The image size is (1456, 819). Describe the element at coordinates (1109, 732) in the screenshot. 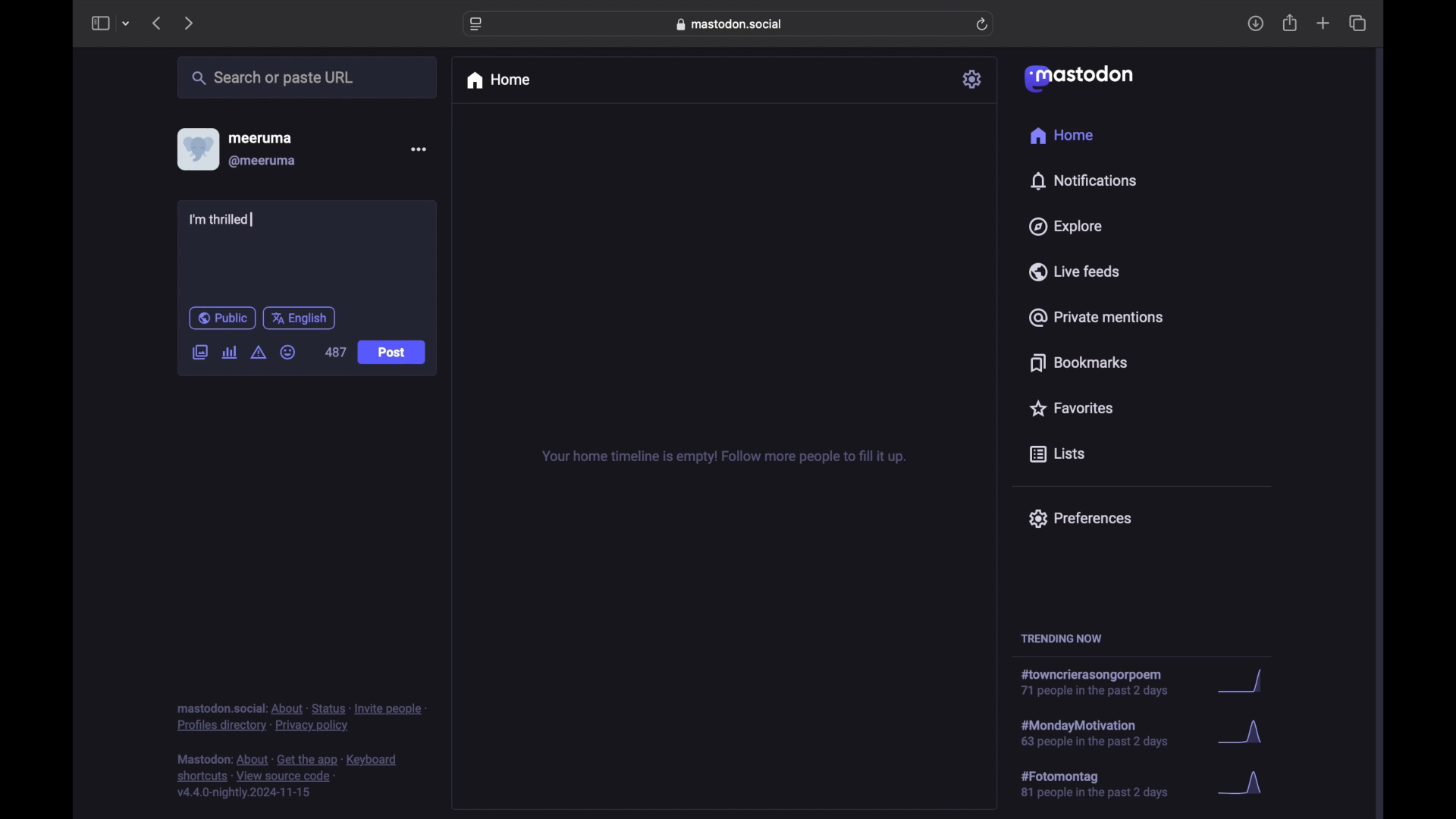

I see `hashtag  trend` at that location.